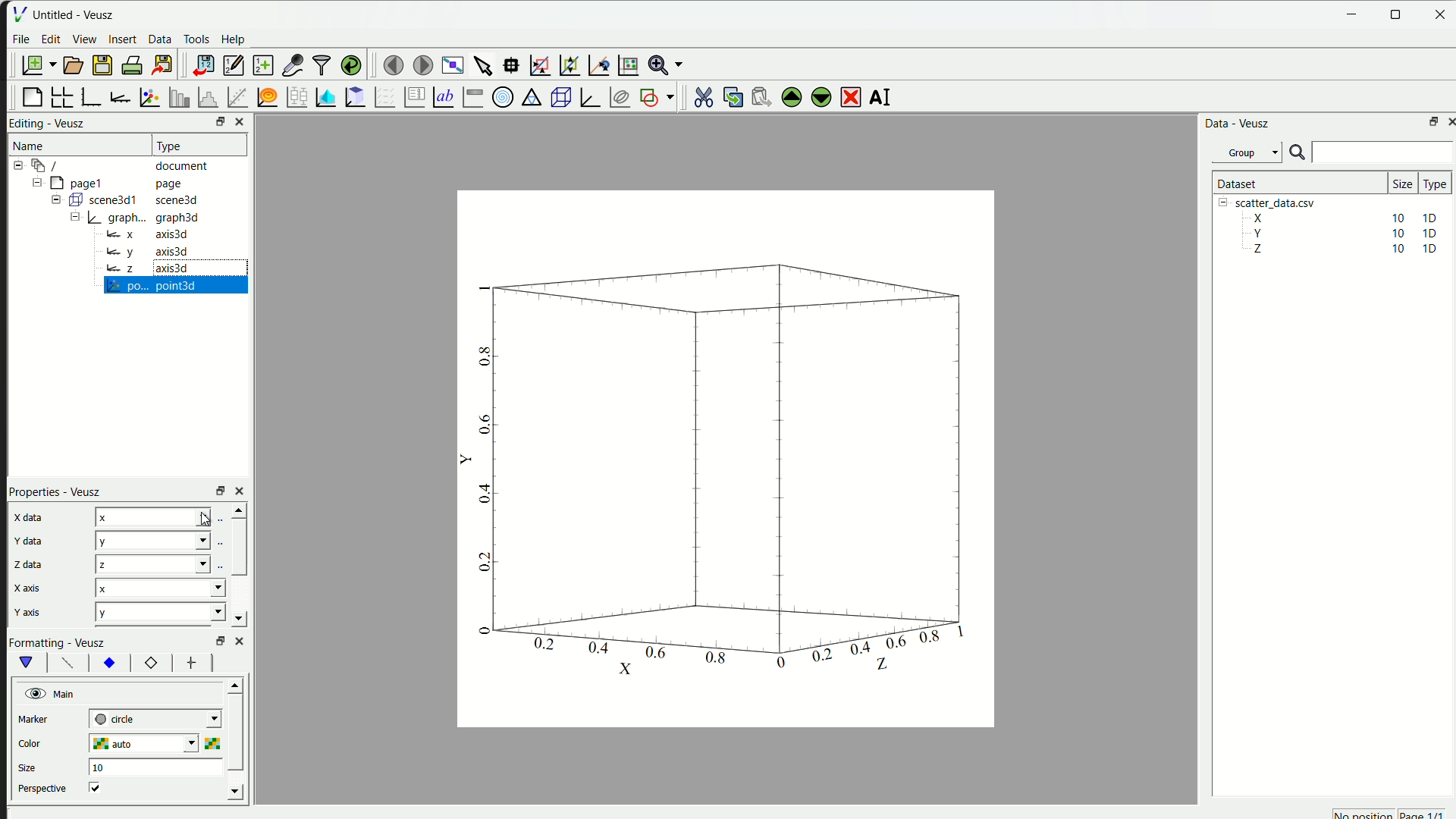 The image size is (1456, 819). What do you see at coordinates (292, 63) in the screenshot?
I see `capture a dataset` at bounding box center [292, 63].